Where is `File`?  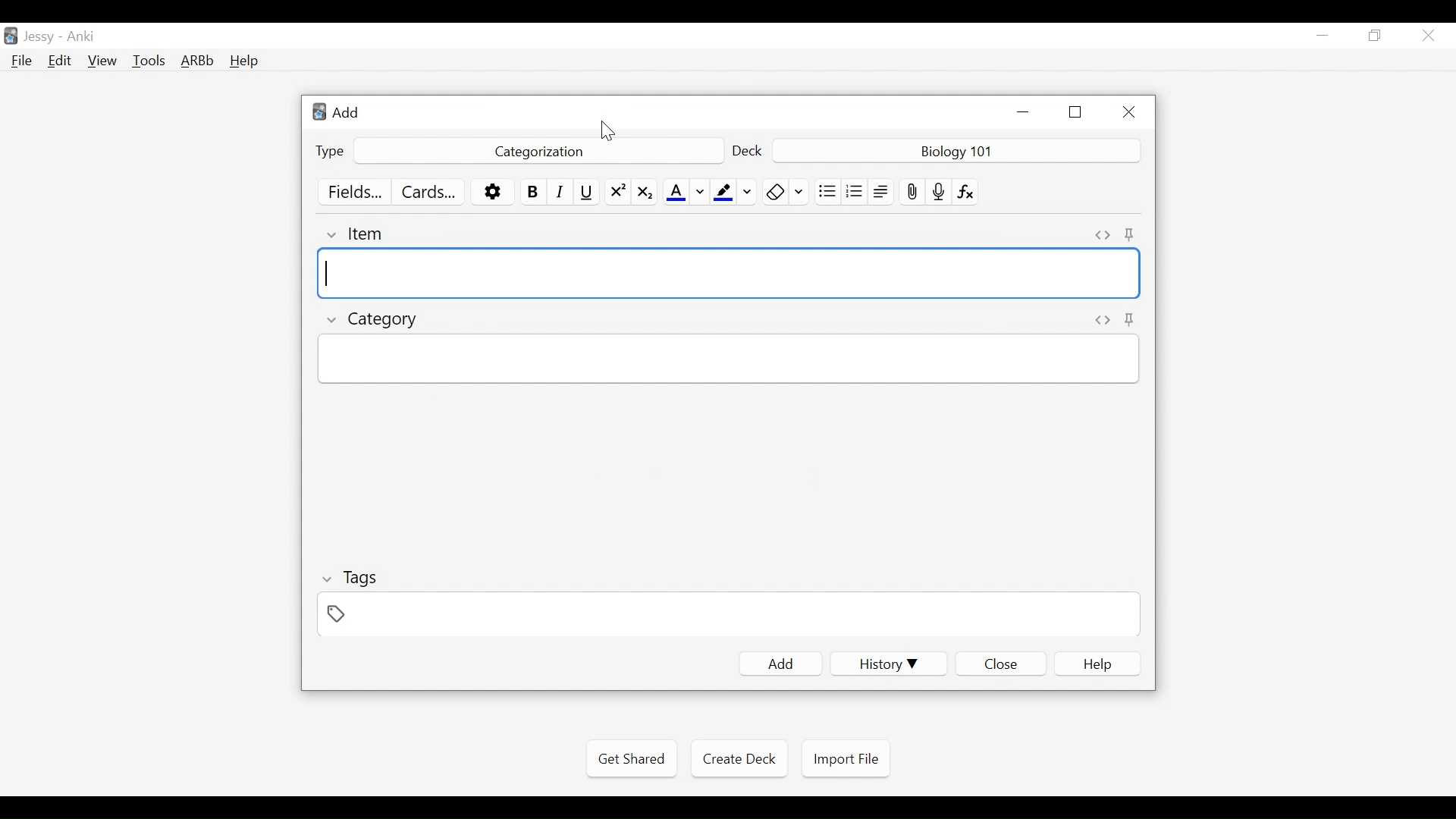
File is located at coordinates (22, 62).